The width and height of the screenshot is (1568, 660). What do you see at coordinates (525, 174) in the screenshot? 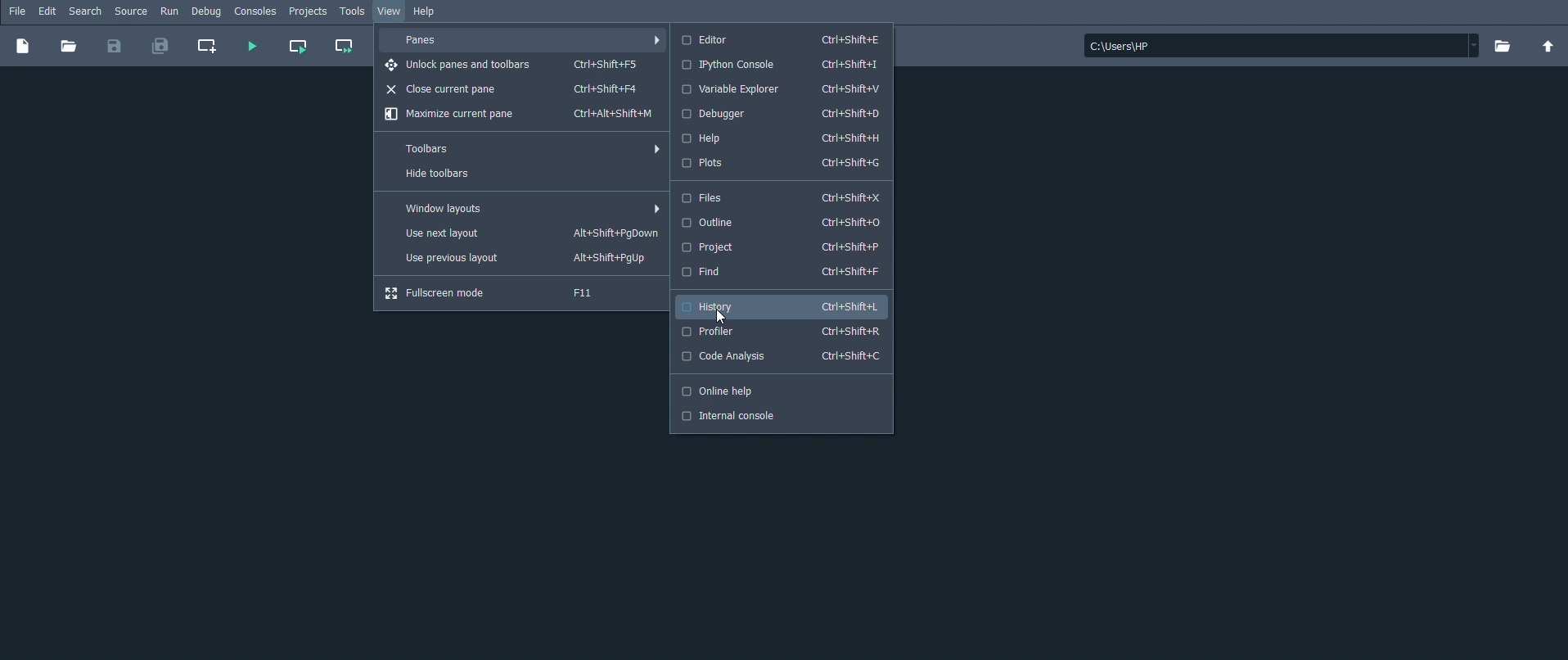
I see `Hide toolbars` at bounding box center [525, 174].